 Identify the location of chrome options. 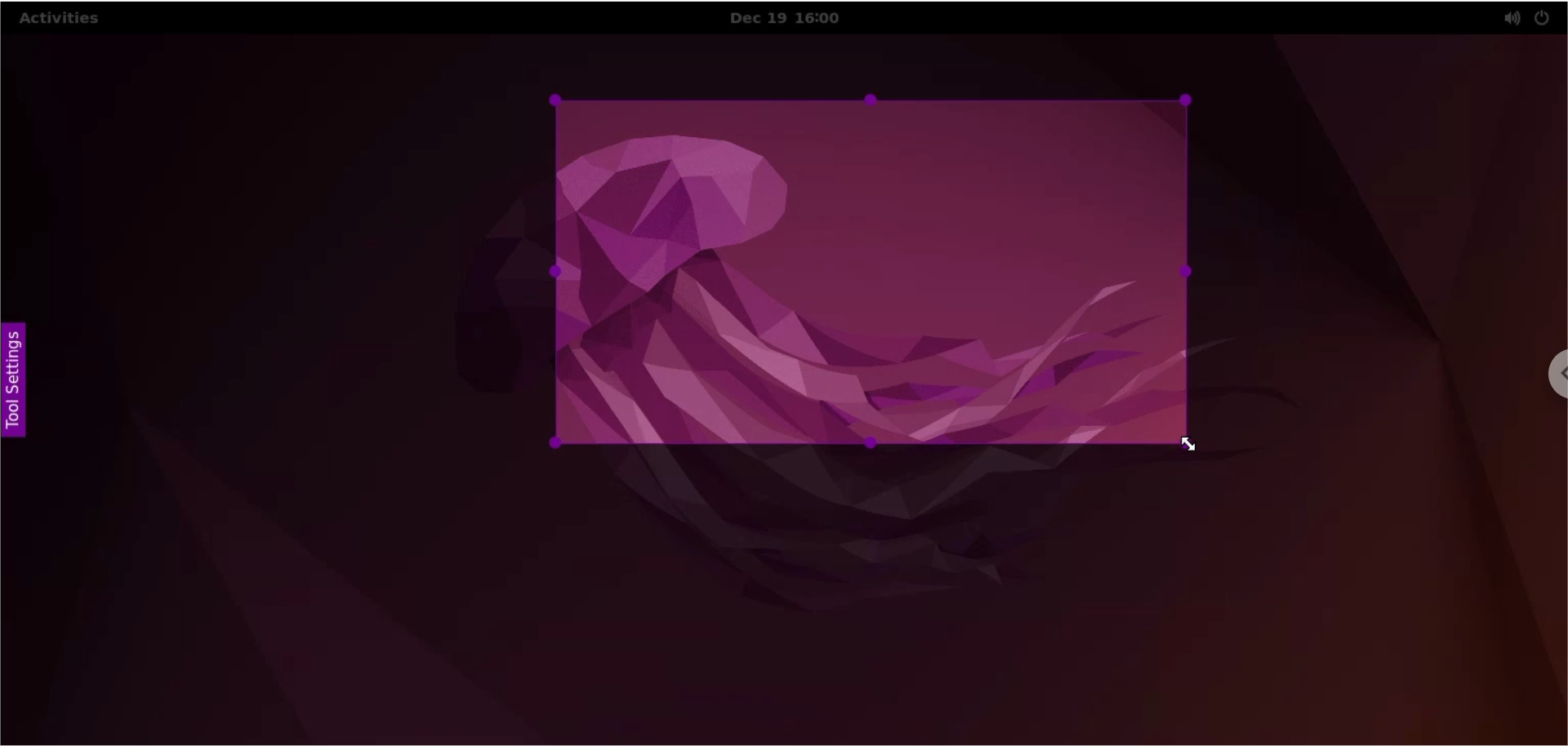
(1540, 383).